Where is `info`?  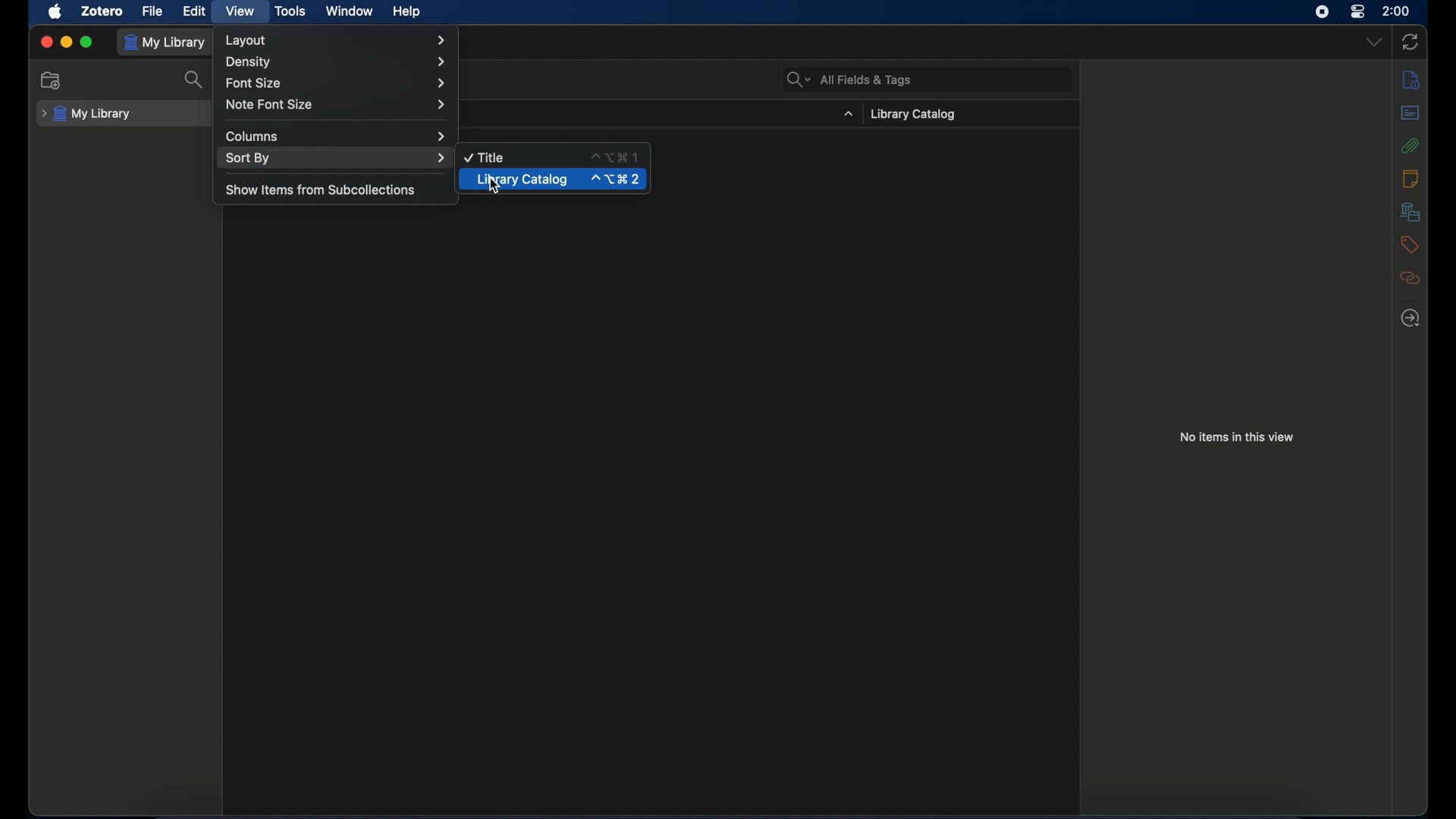 info is located at coordinates (1410, 80).